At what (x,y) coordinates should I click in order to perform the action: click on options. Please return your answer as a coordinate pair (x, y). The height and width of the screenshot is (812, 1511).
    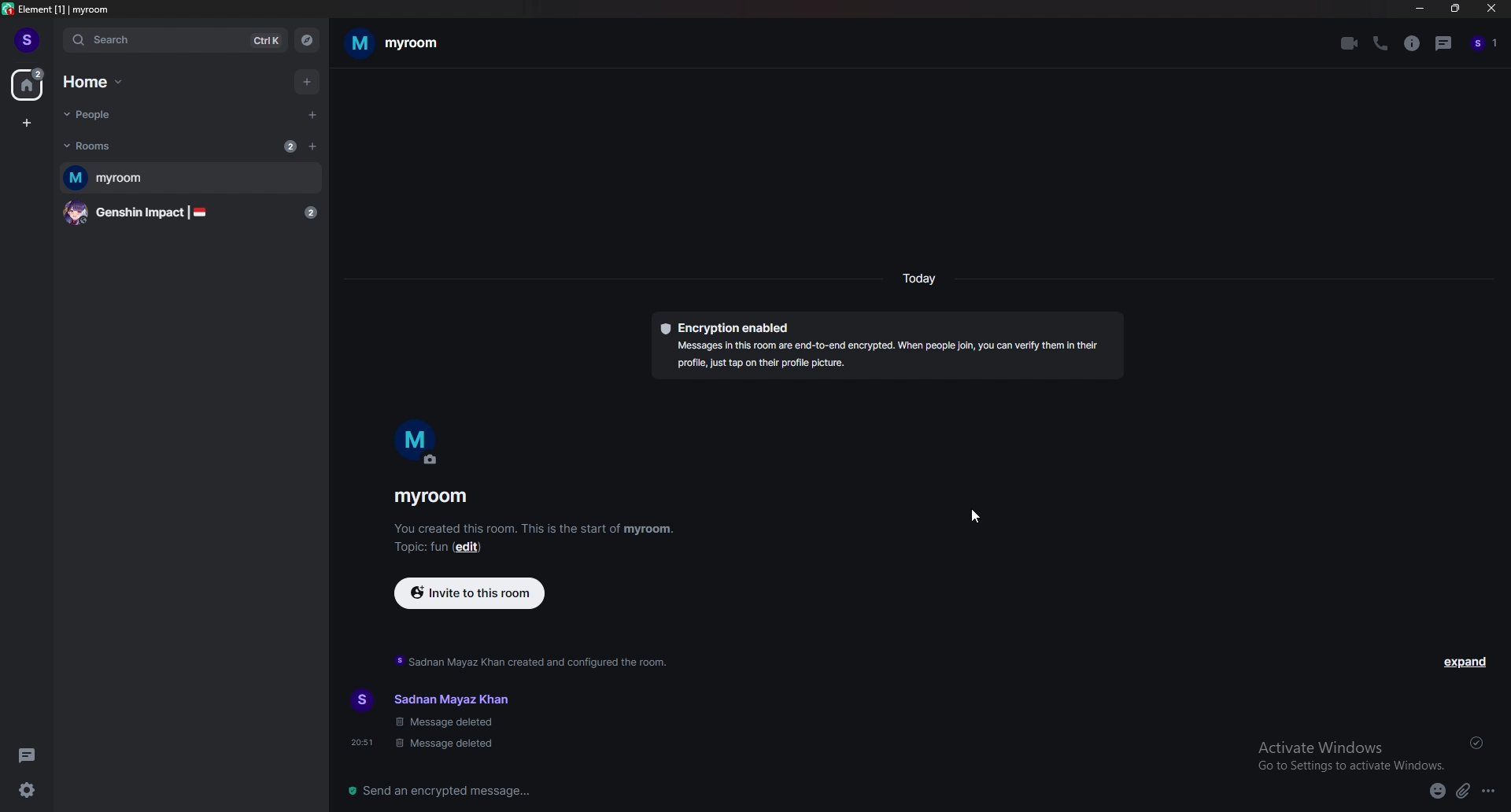
    Looking at the image, I should click on (1491, 790).